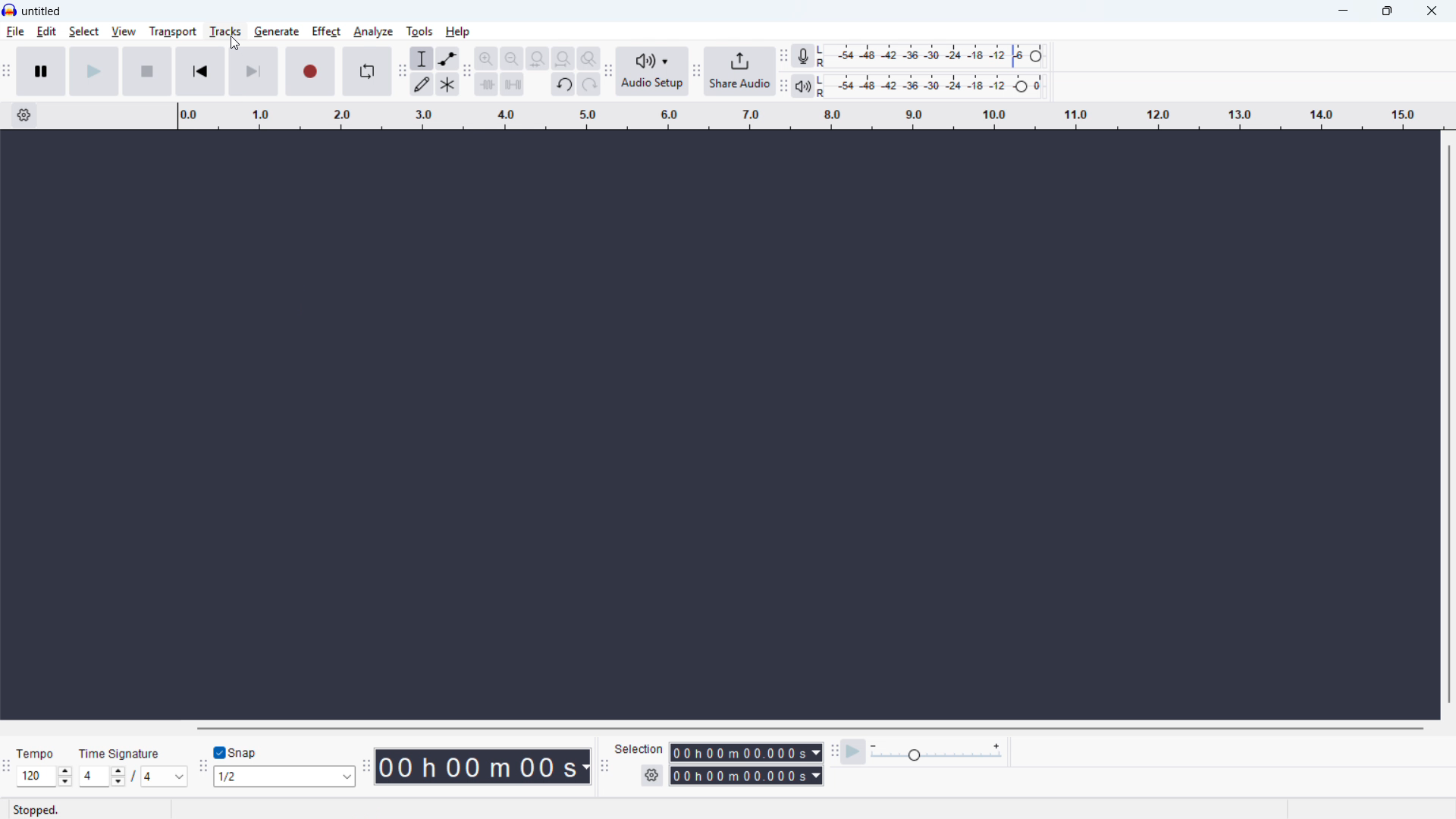 Image resolution: width=1456 pixels, height=819 pixels. What do you see at coordinates (276, 32) in the screenshot?
I see `Generate ` at bounding box center [276, 32].